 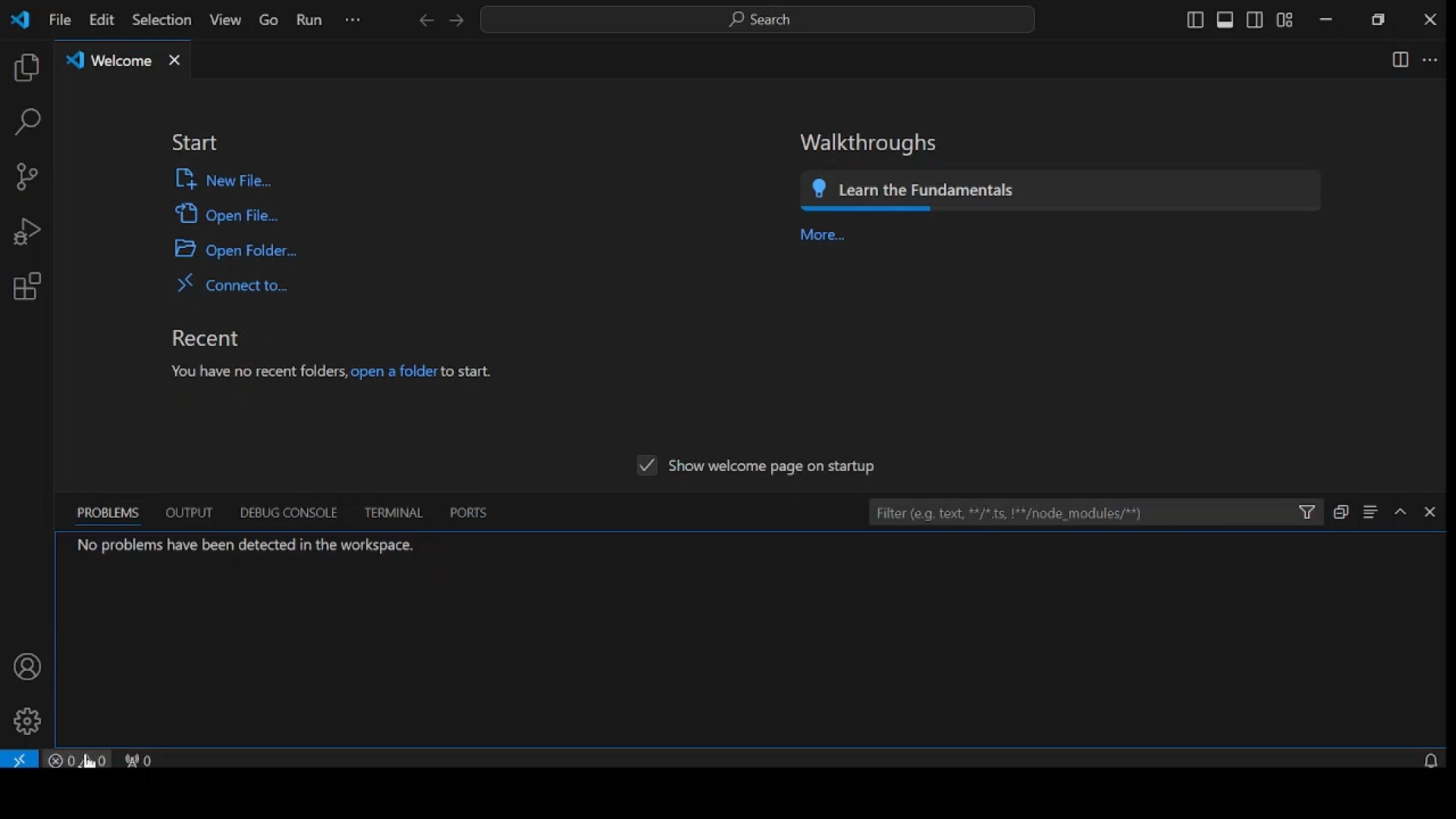 What do you see at coordinates (1381, 20) in the screenshot?
I see `restore down` at bounding box center [1381, 20].